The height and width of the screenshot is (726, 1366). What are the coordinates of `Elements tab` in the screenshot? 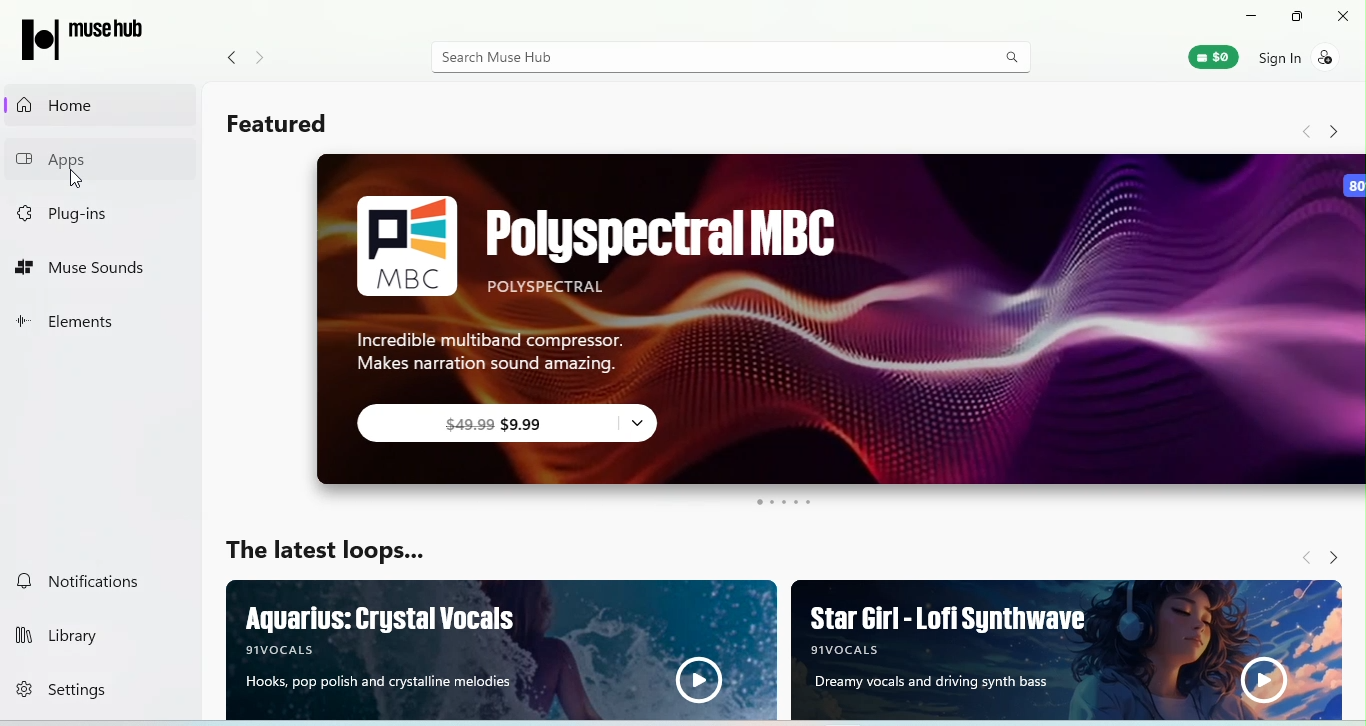 It's located at (76, 320).